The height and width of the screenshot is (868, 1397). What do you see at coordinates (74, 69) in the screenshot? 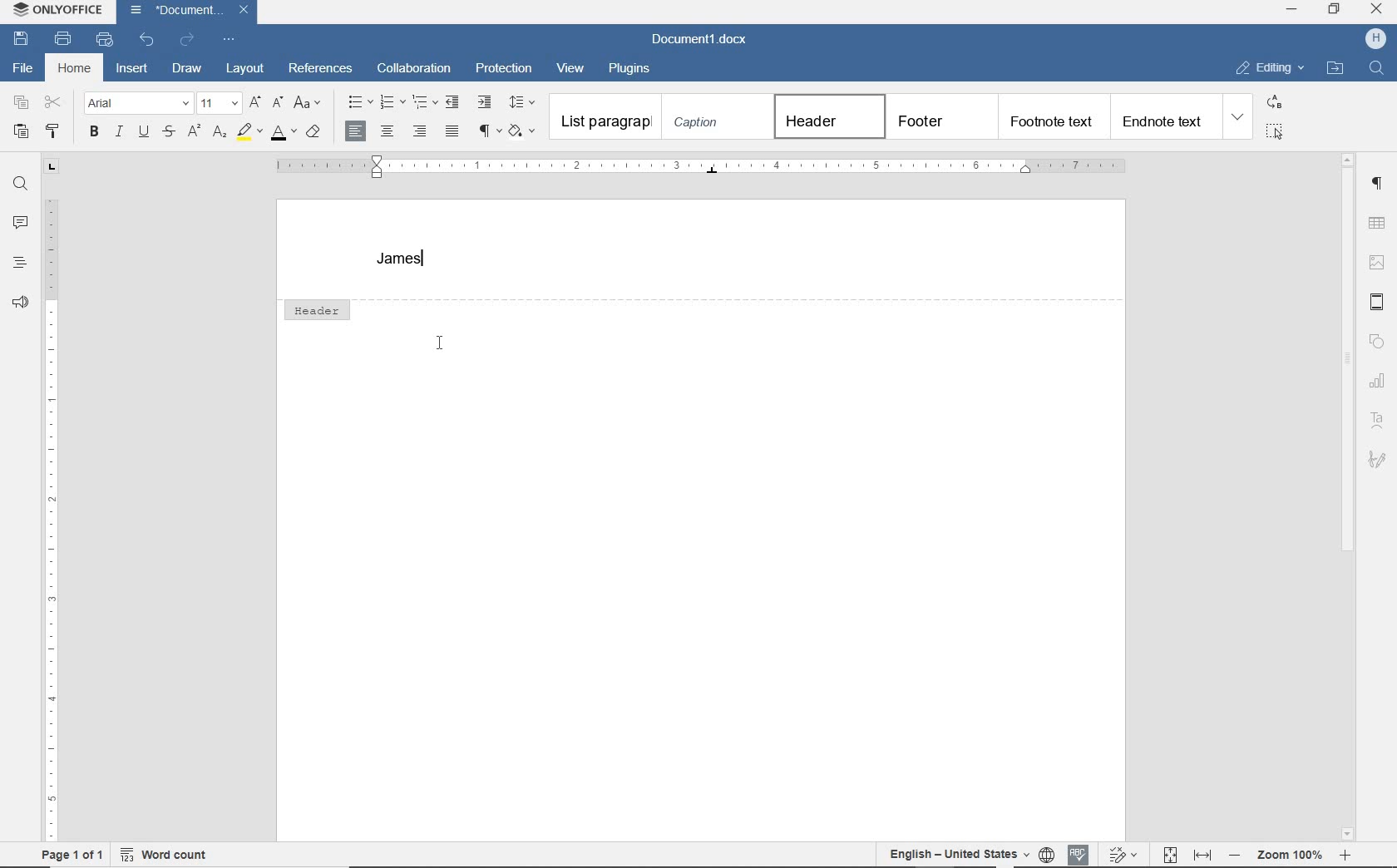
I see `home` at bounding box center [74, 69].